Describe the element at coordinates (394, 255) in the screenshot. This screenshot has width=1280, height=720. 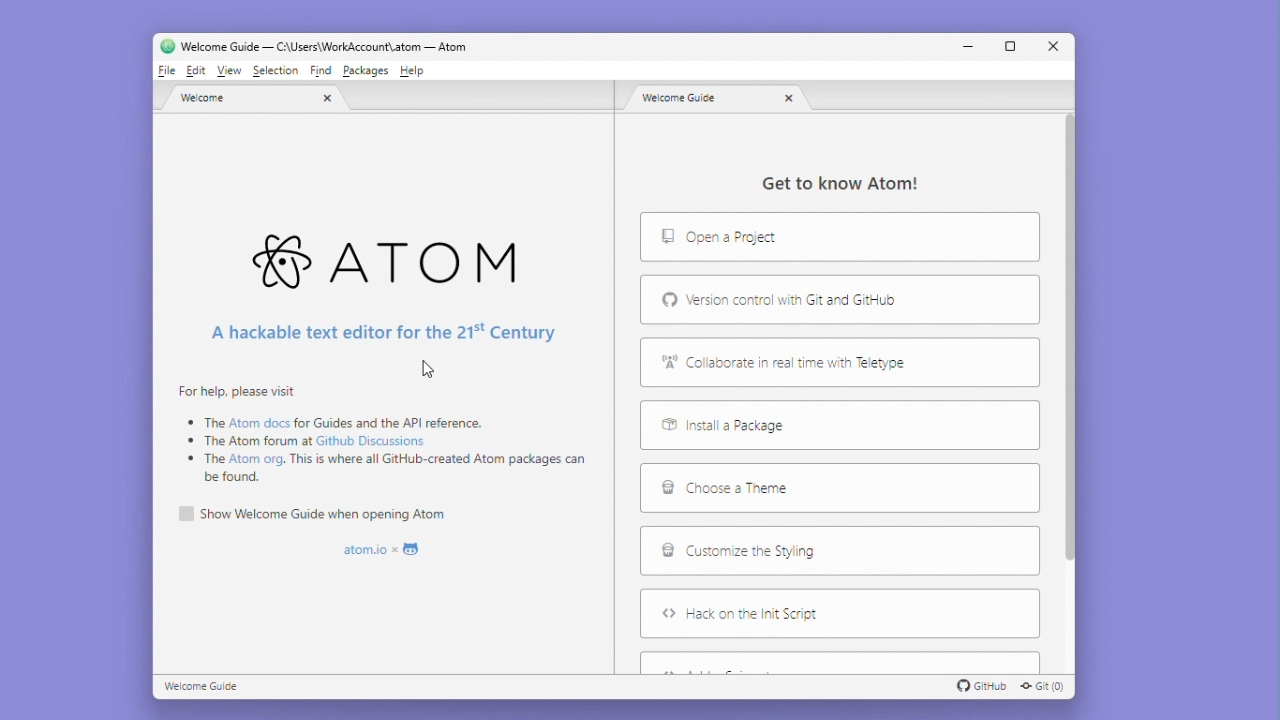
I see `Atom logo` at that location.